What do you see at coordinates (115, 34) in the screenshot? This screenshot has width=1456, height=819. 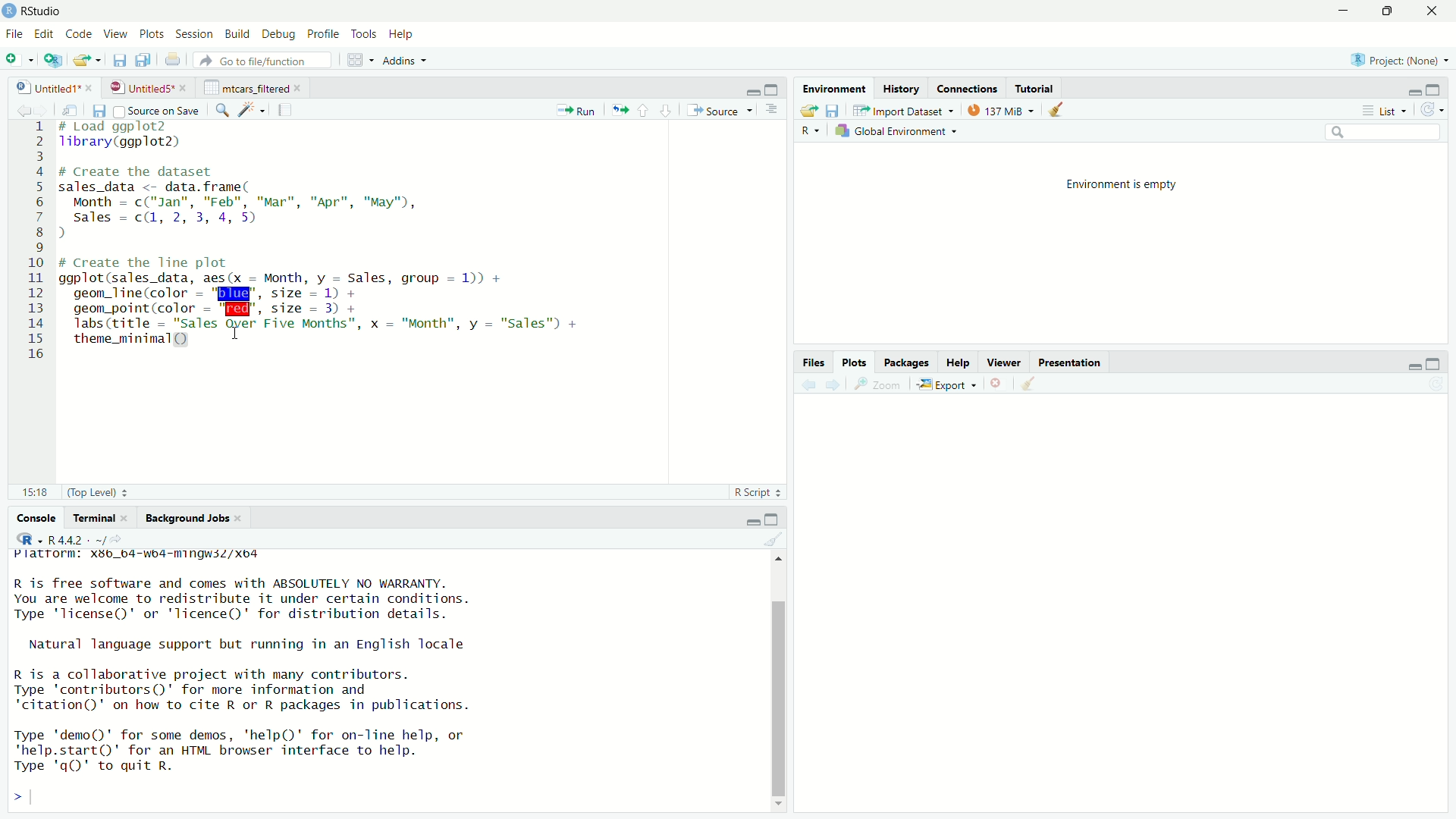 I see `view` at bounding box center [115, 34].